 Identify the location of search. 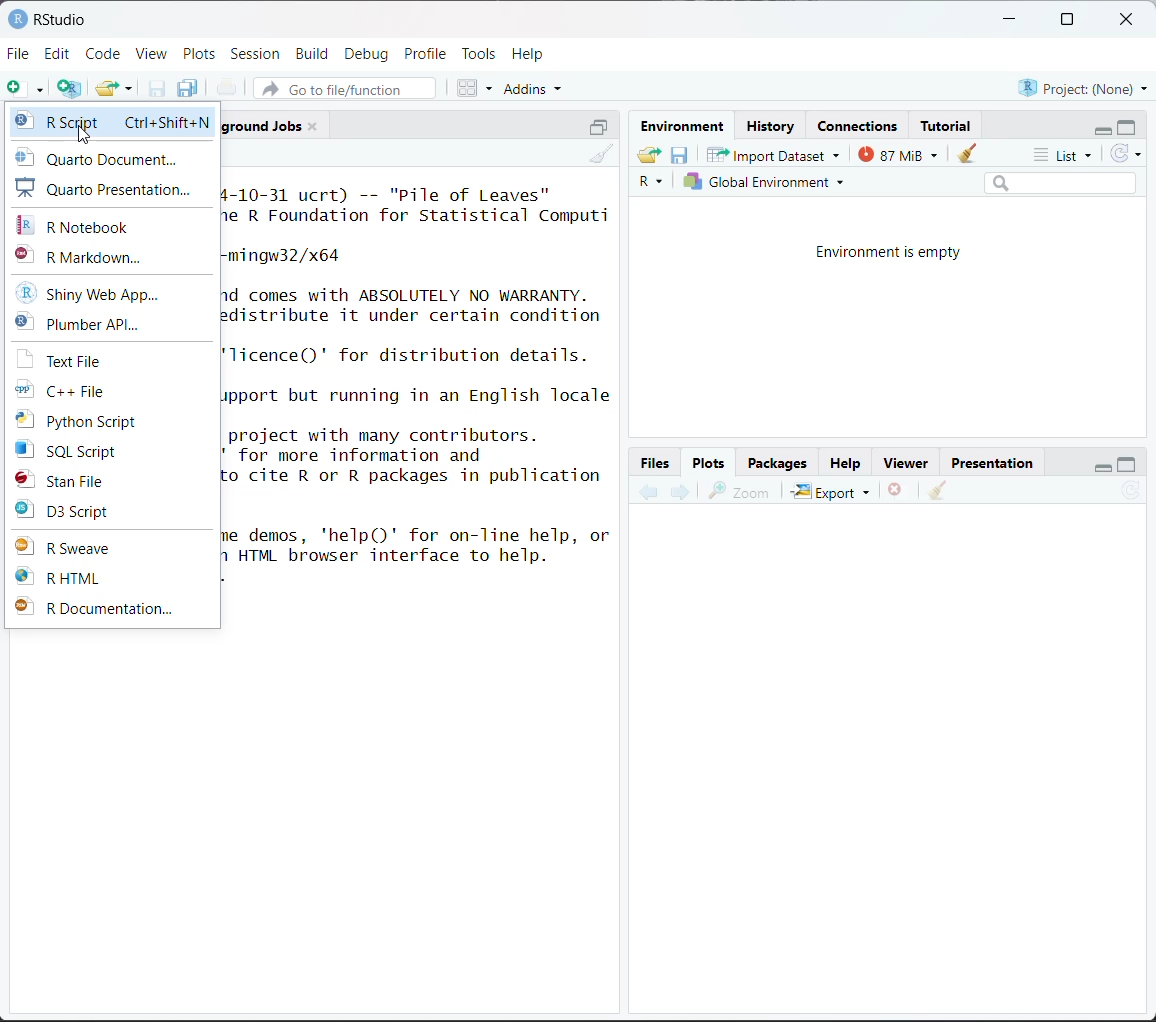
(1060, 182).